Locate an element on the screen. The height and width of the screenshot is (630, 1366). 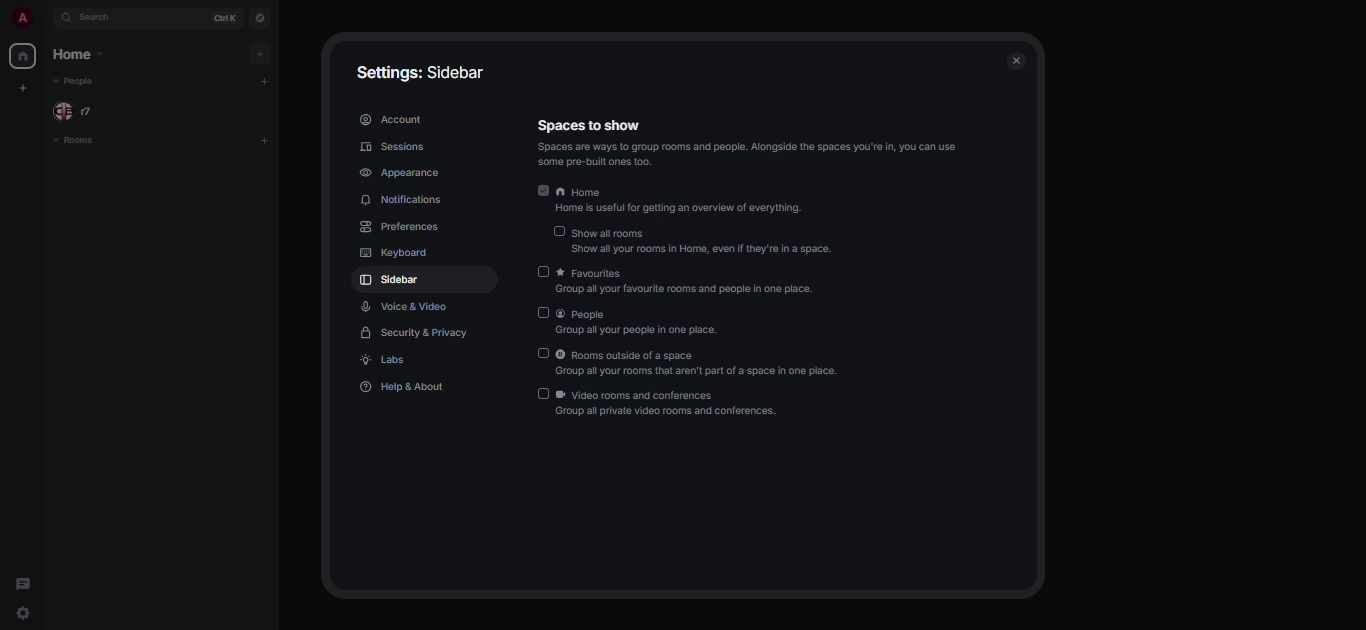
security & privacy is located at coordinates (417, 333).